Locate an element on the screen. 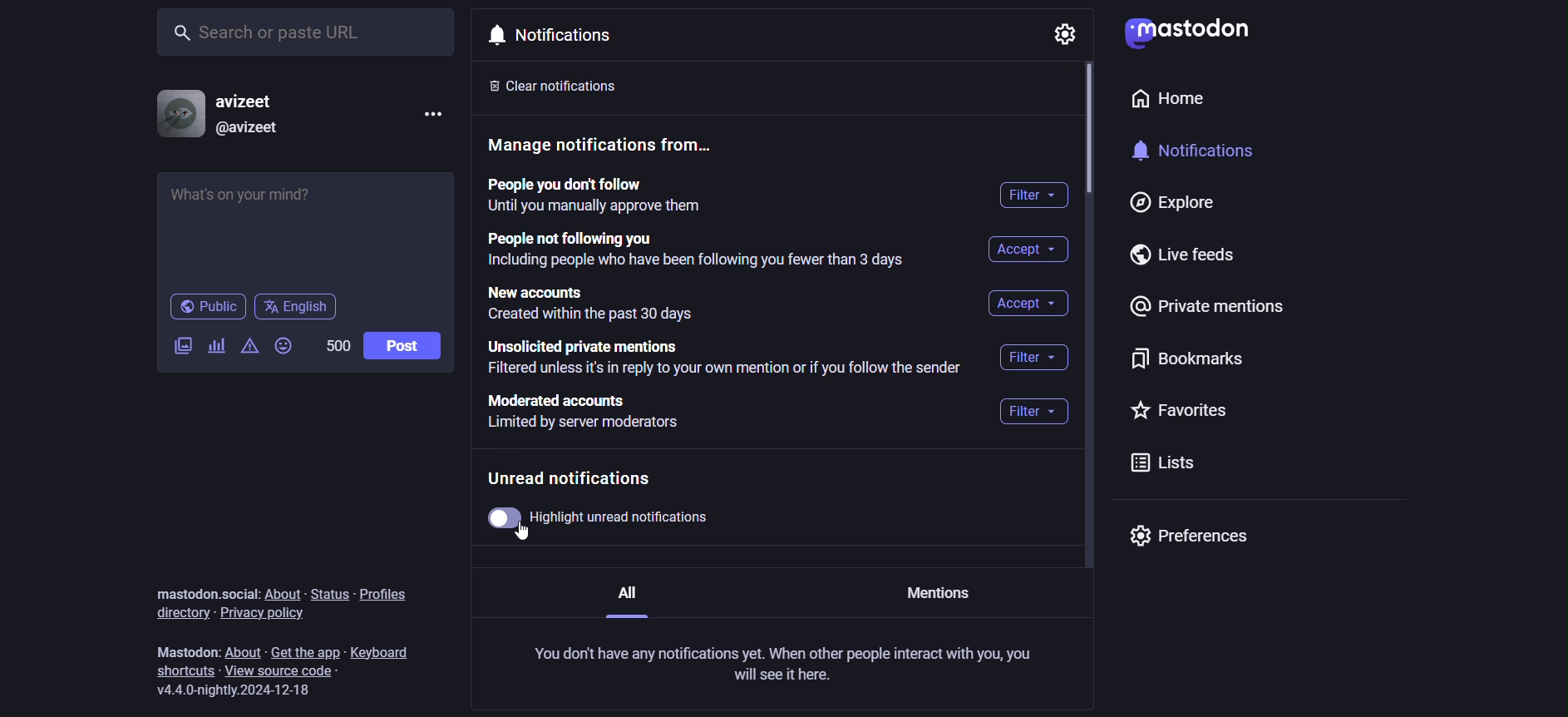 This screenshot has width=1568, height=717. mastodon is located at coordinates (1203, 32).